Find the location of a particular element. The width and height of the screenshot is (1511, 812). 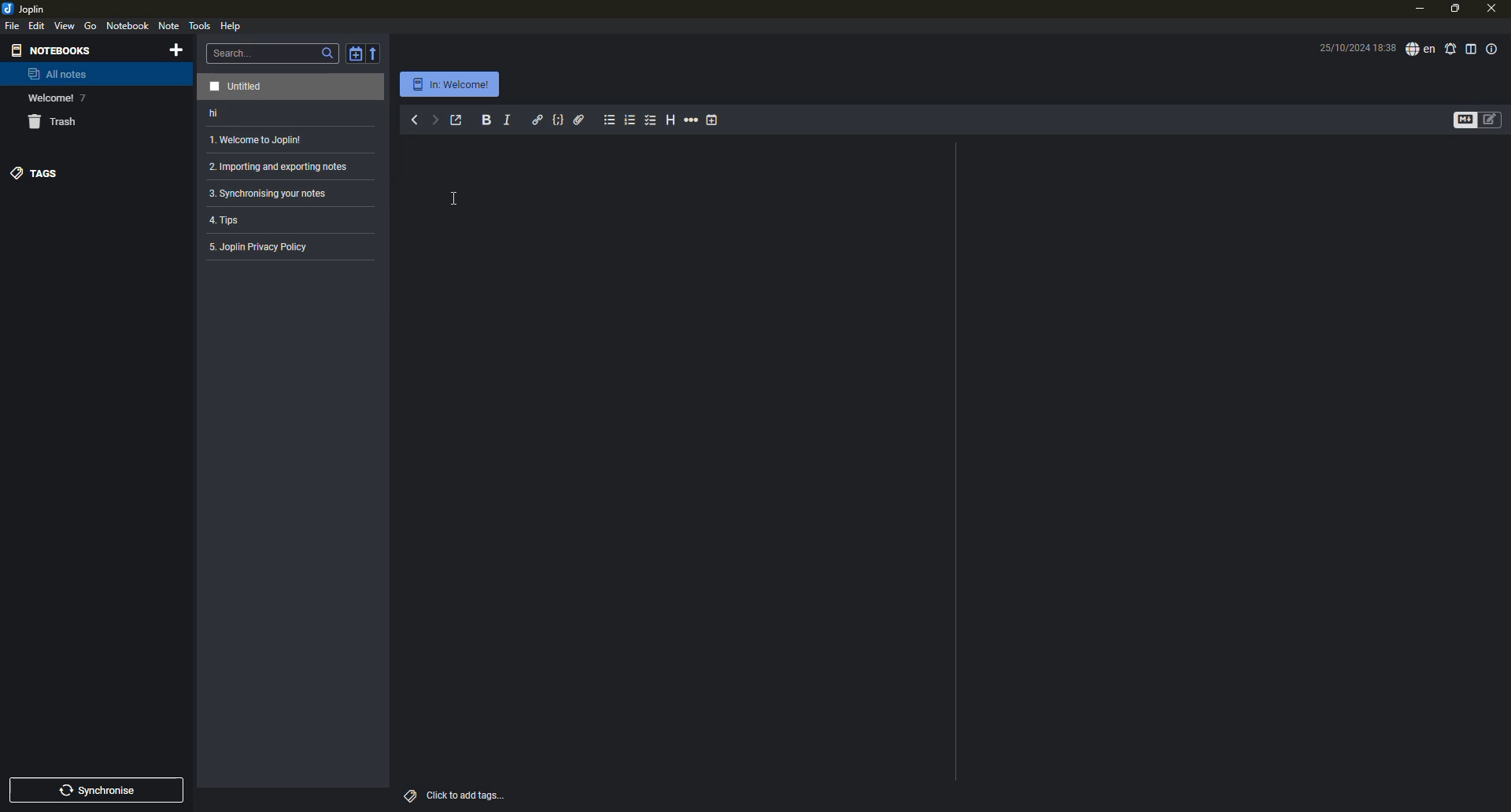

7 is located at coordinates (83, 98).